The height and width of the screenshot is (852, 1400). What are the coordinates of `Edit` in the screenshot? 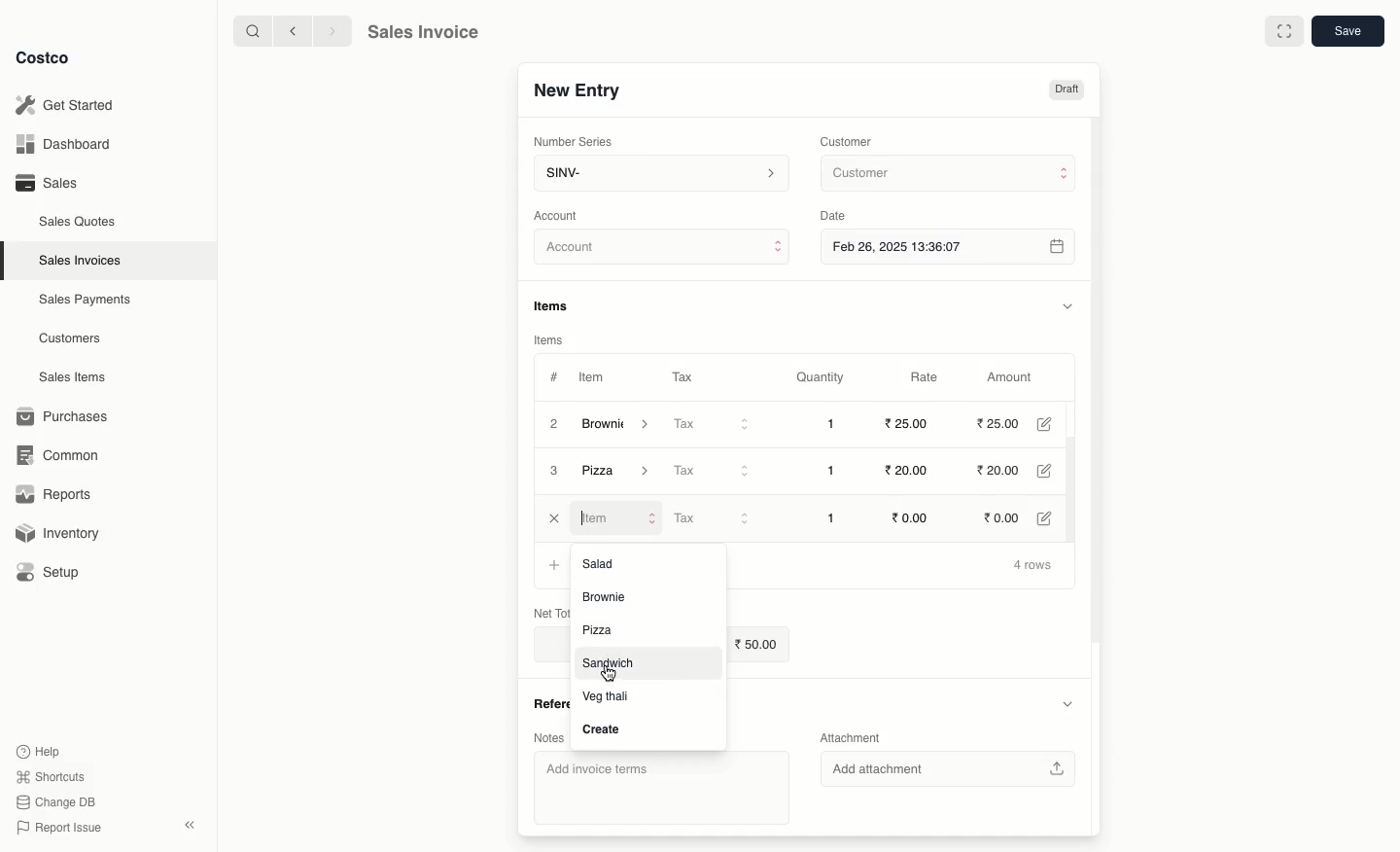 It's located at (1056, 472).